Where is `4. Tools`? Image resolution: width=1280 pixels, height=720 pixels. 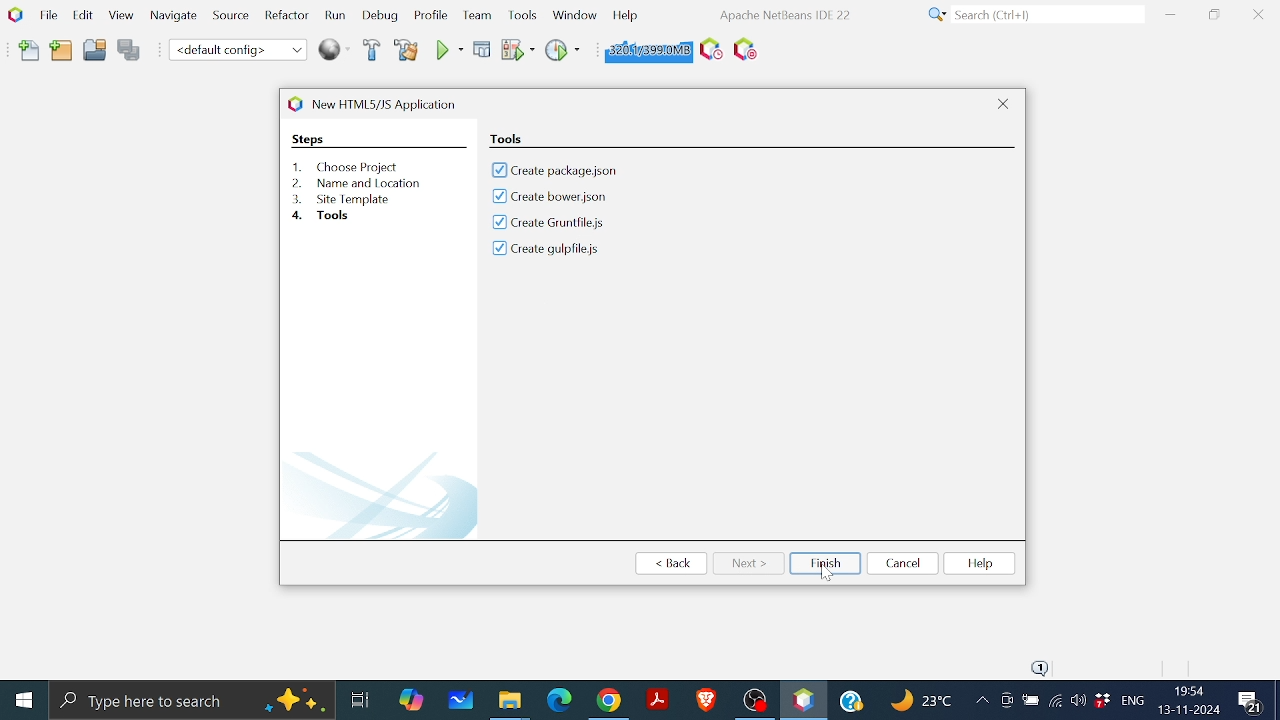
4. Tools is located at coordinates (338, 216).